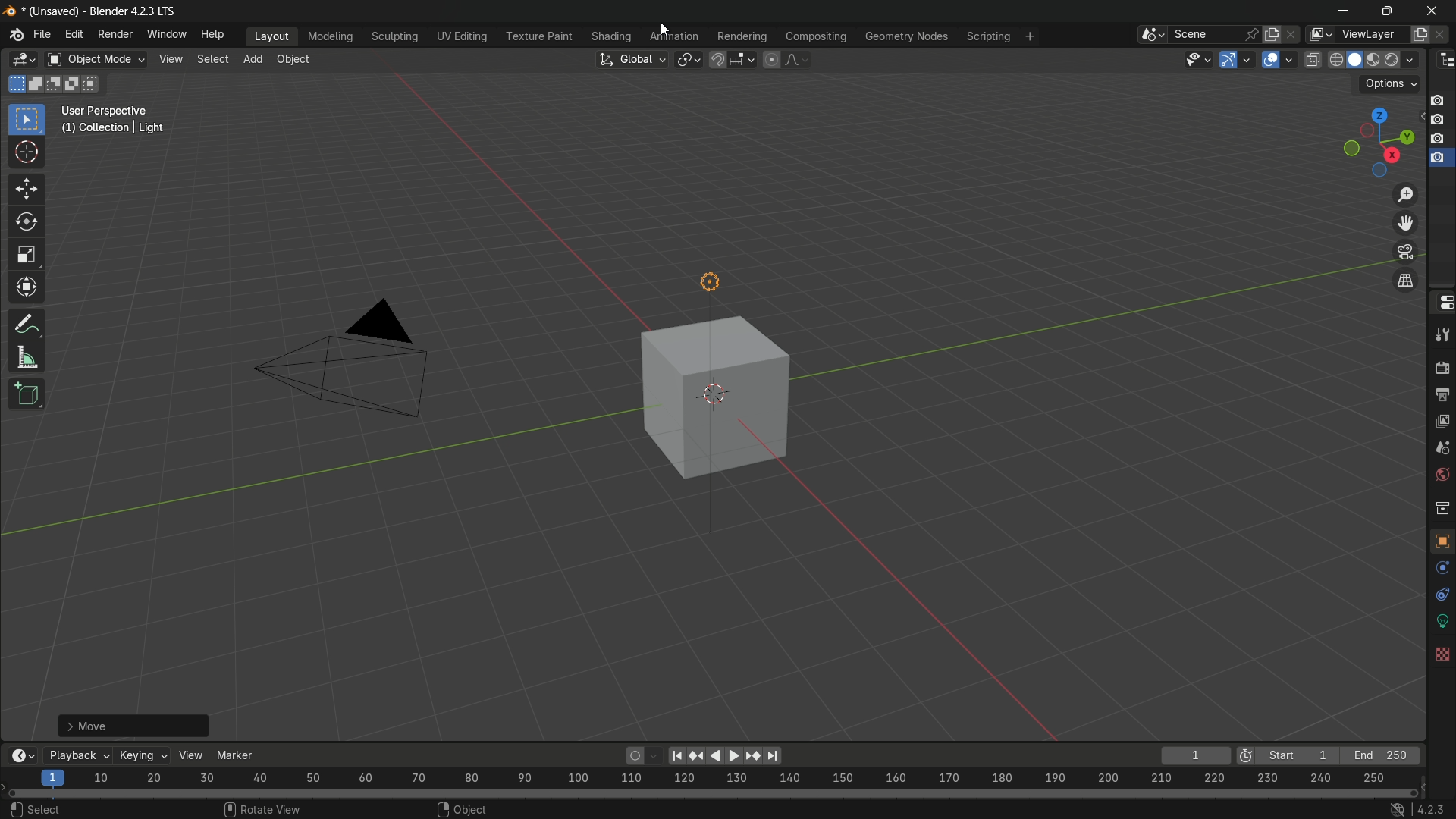  What do you see at coordinates (1415, 808) in the screenshot?
I see `4.2.3 lts` at bounding box center [1415, 808].